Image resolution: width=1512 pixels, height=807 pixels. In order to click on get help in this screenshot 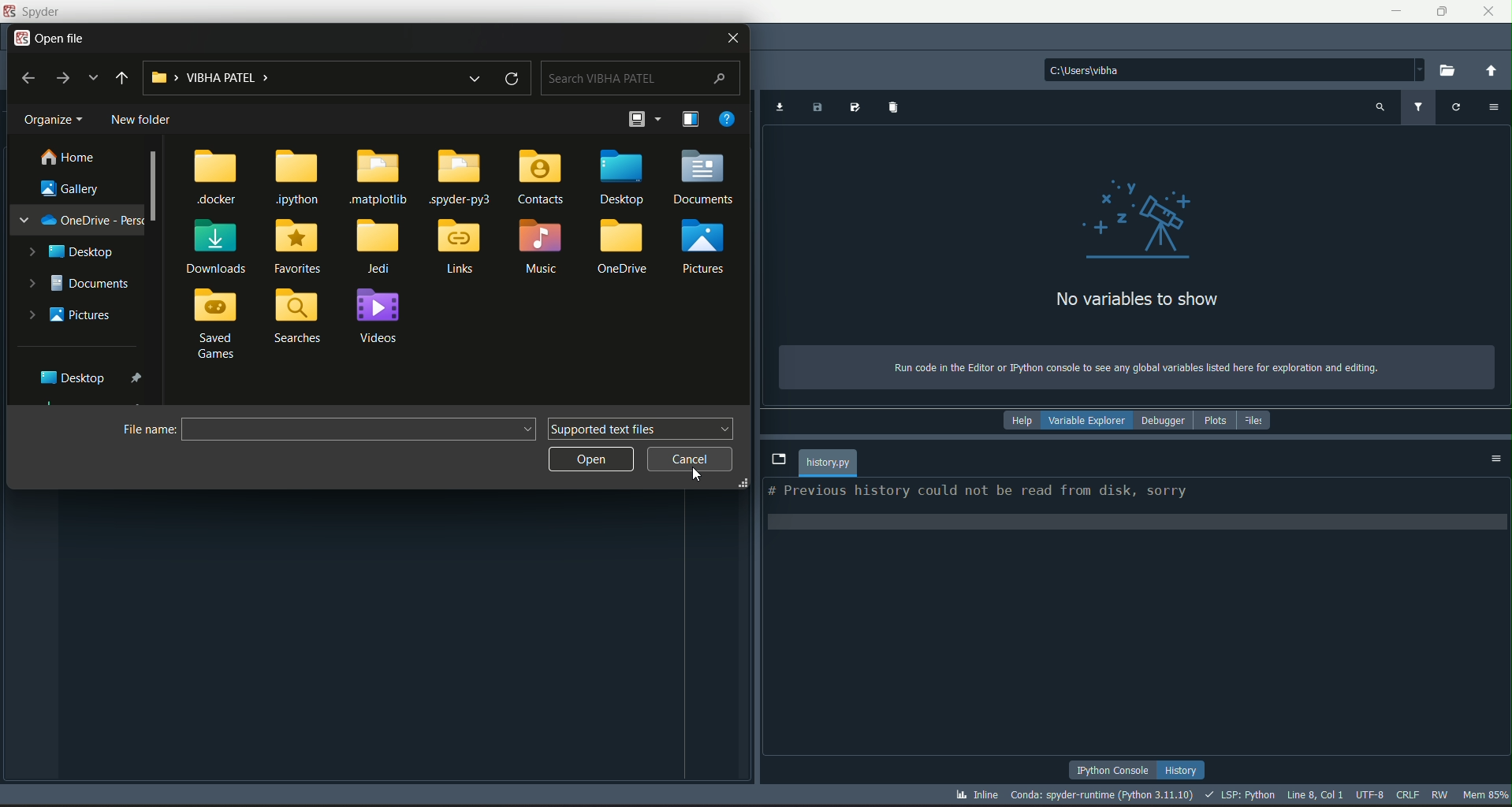, I will do `click(730, 118)`.